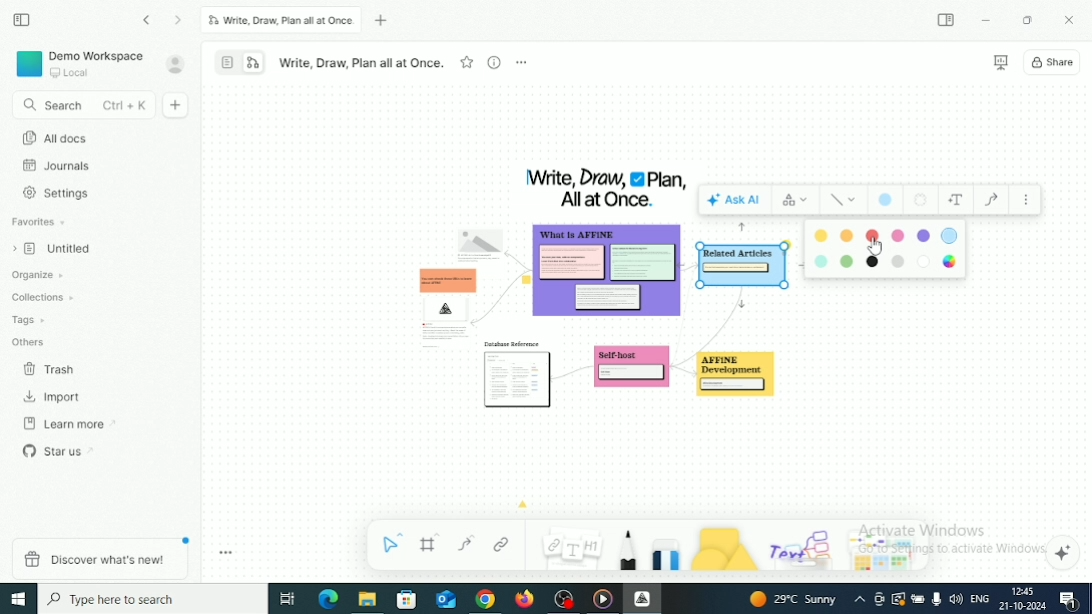 This screenshot has width=1092, height=614. Describe the element at coordinates (153, 598) in the screenshot. I see `Type here to search` at that location.